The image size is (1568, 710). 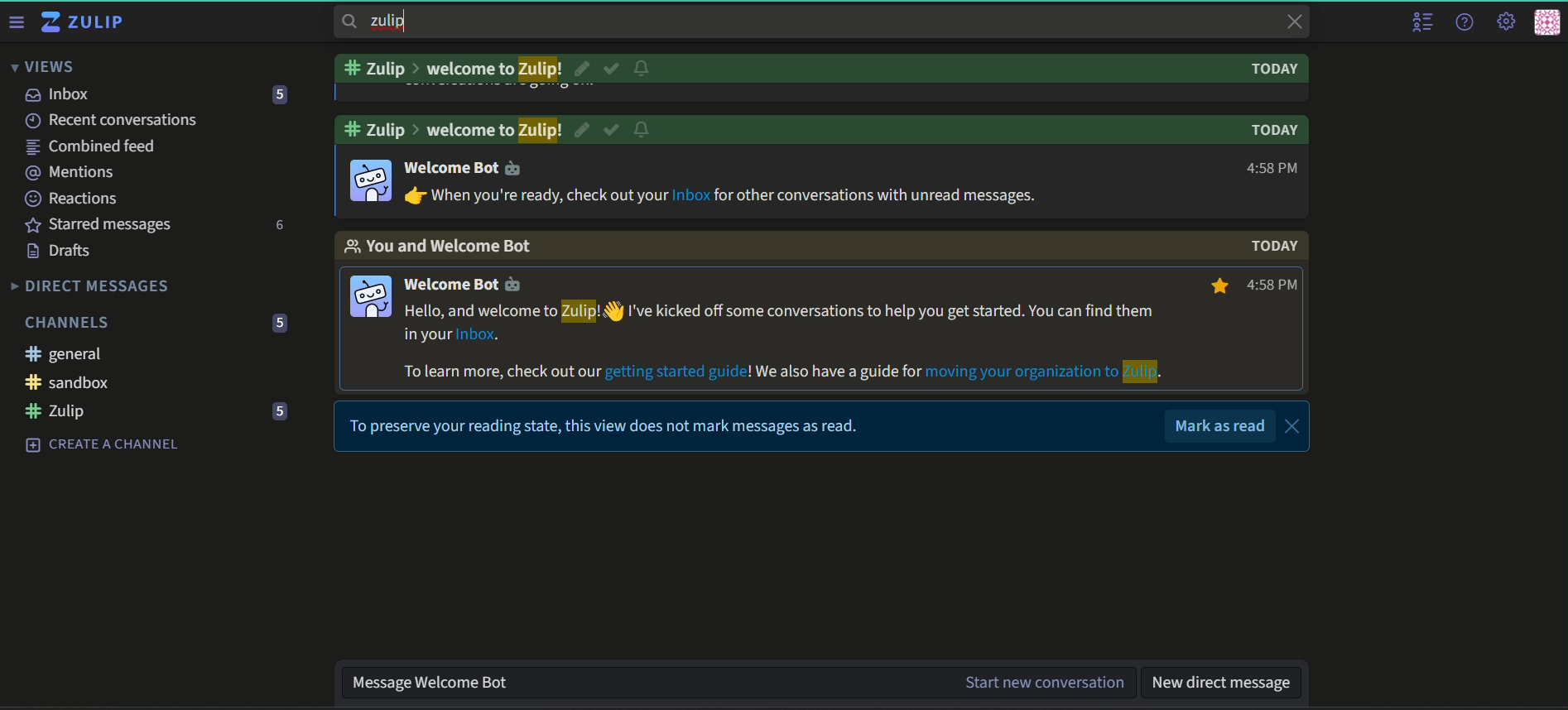 I want to click on notification, so click(x=642, y=67).